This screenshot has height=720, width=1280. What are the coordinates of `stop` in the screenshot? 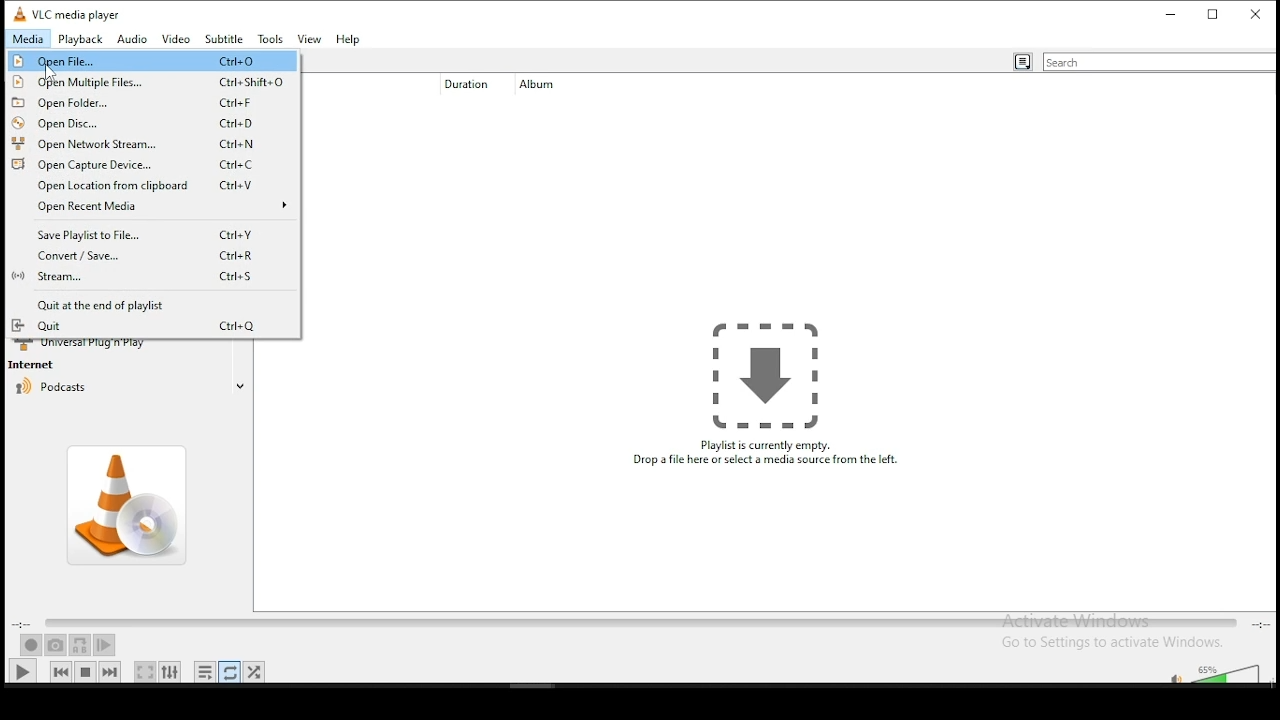 It's located at (86, 670).